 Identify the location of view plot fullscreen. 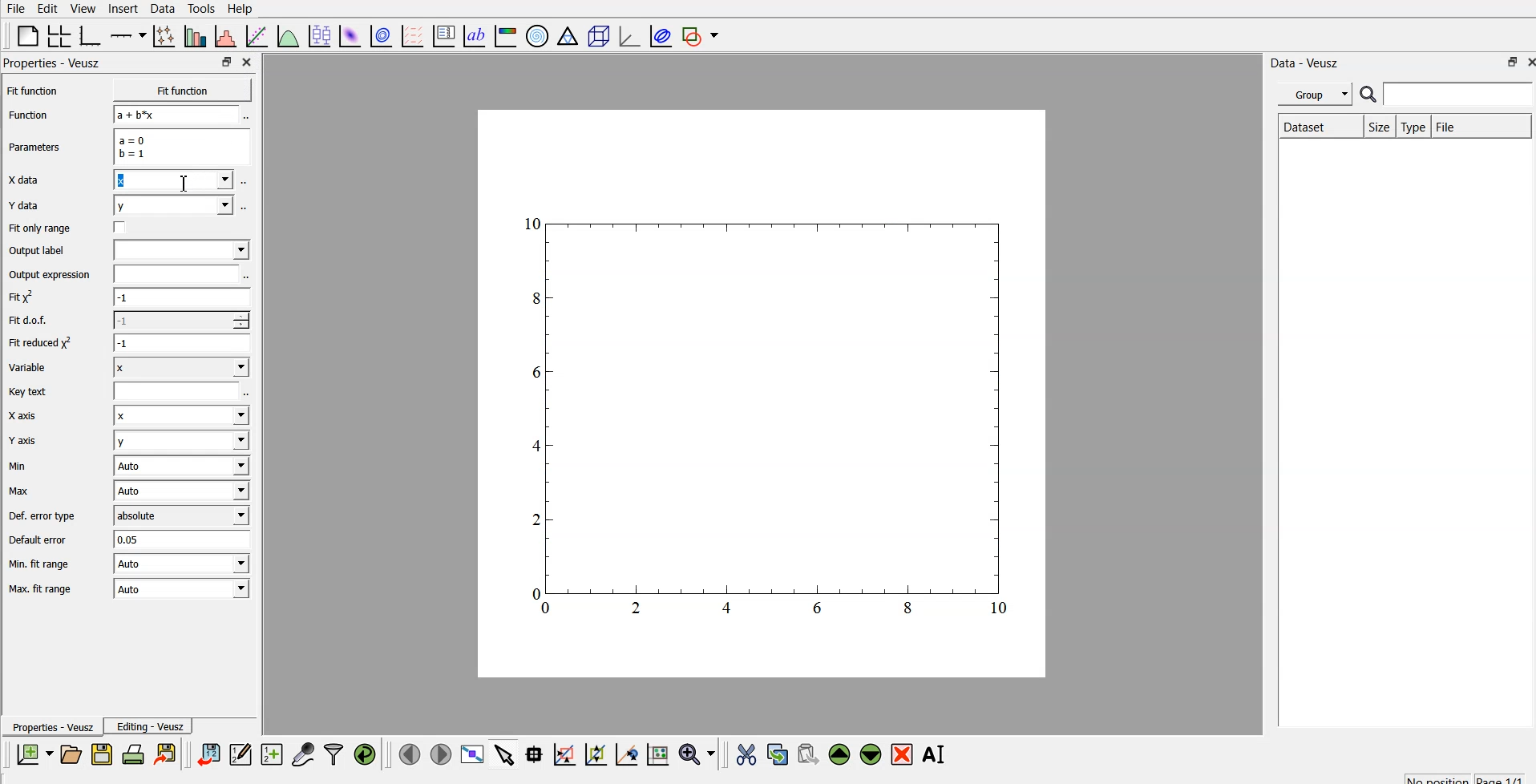
(474, 756).